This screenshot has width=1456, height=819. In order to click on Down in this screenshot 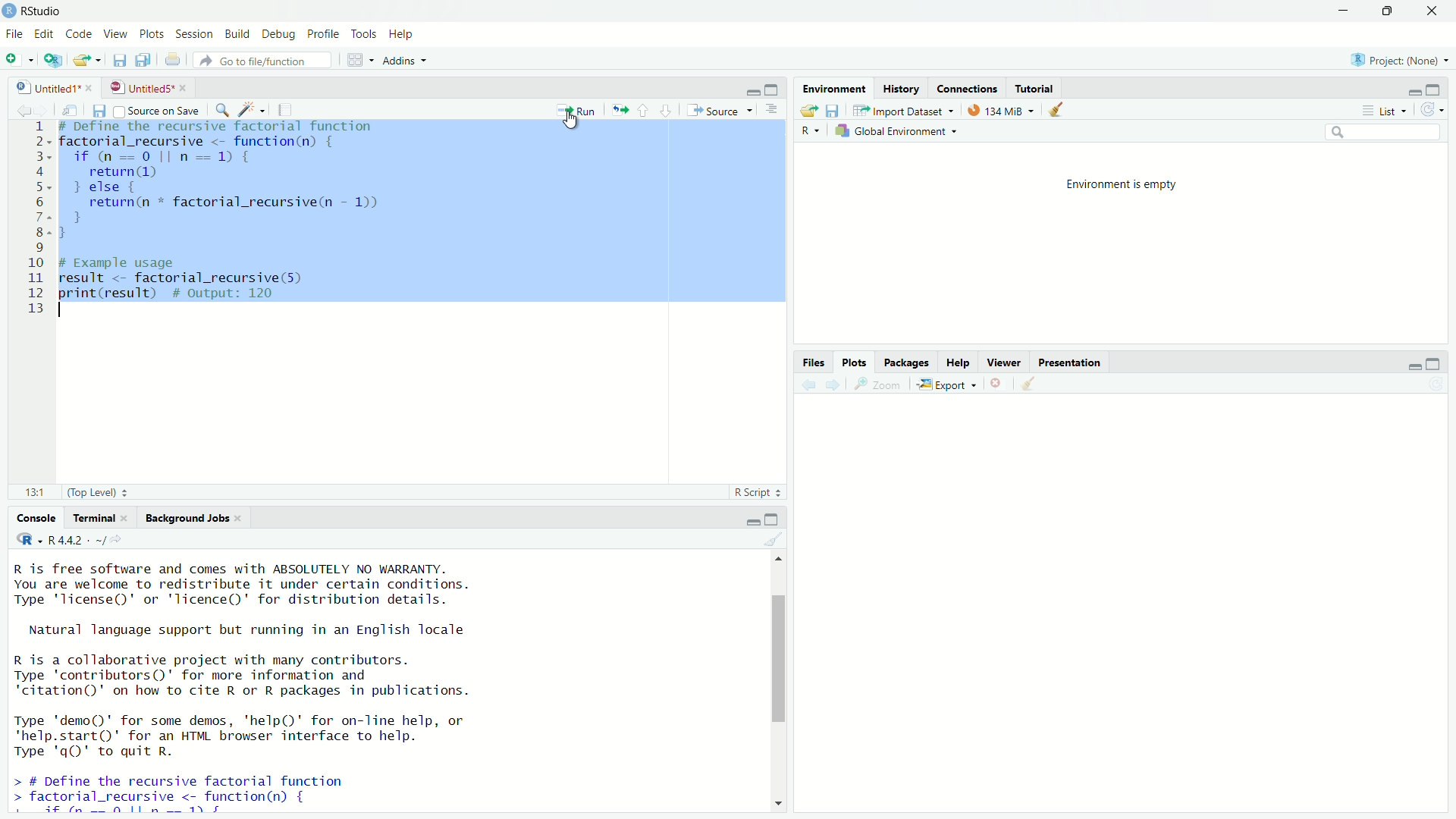, I will do `click(777, 805)`.